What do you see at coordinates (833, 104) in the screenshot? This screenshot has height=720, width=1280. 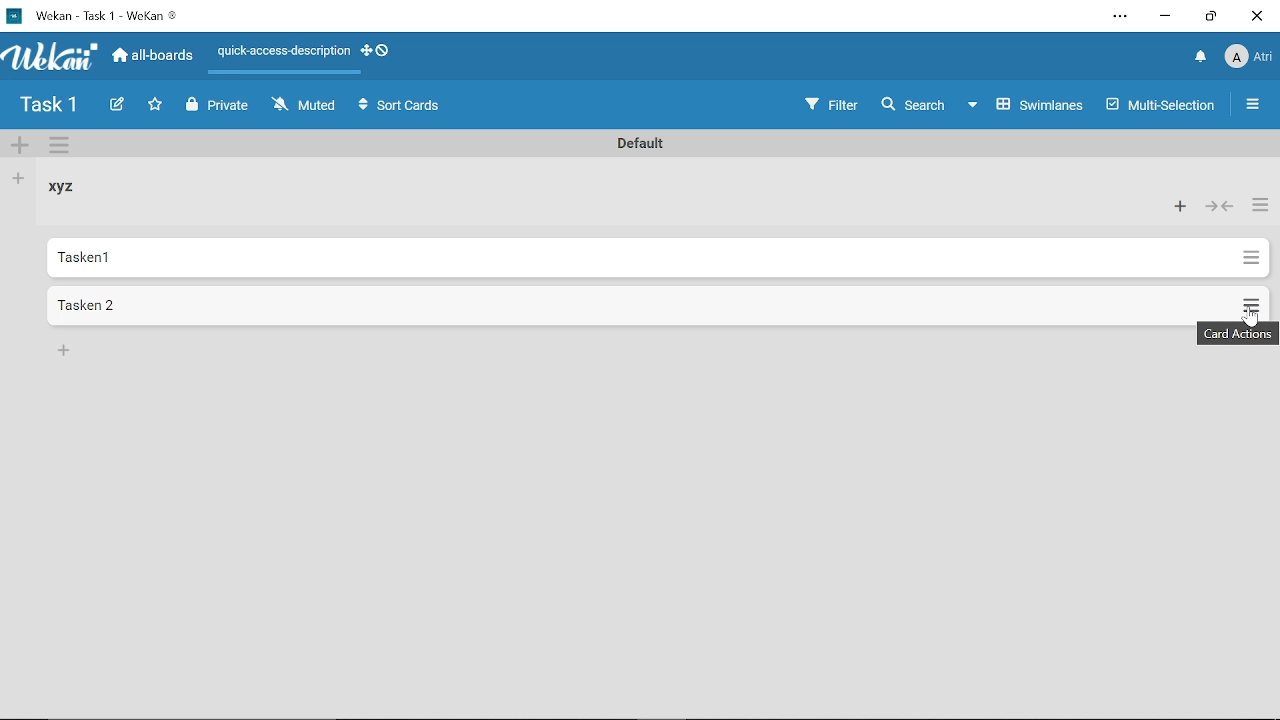 I see `Filter` at bounding box center [833, 104].